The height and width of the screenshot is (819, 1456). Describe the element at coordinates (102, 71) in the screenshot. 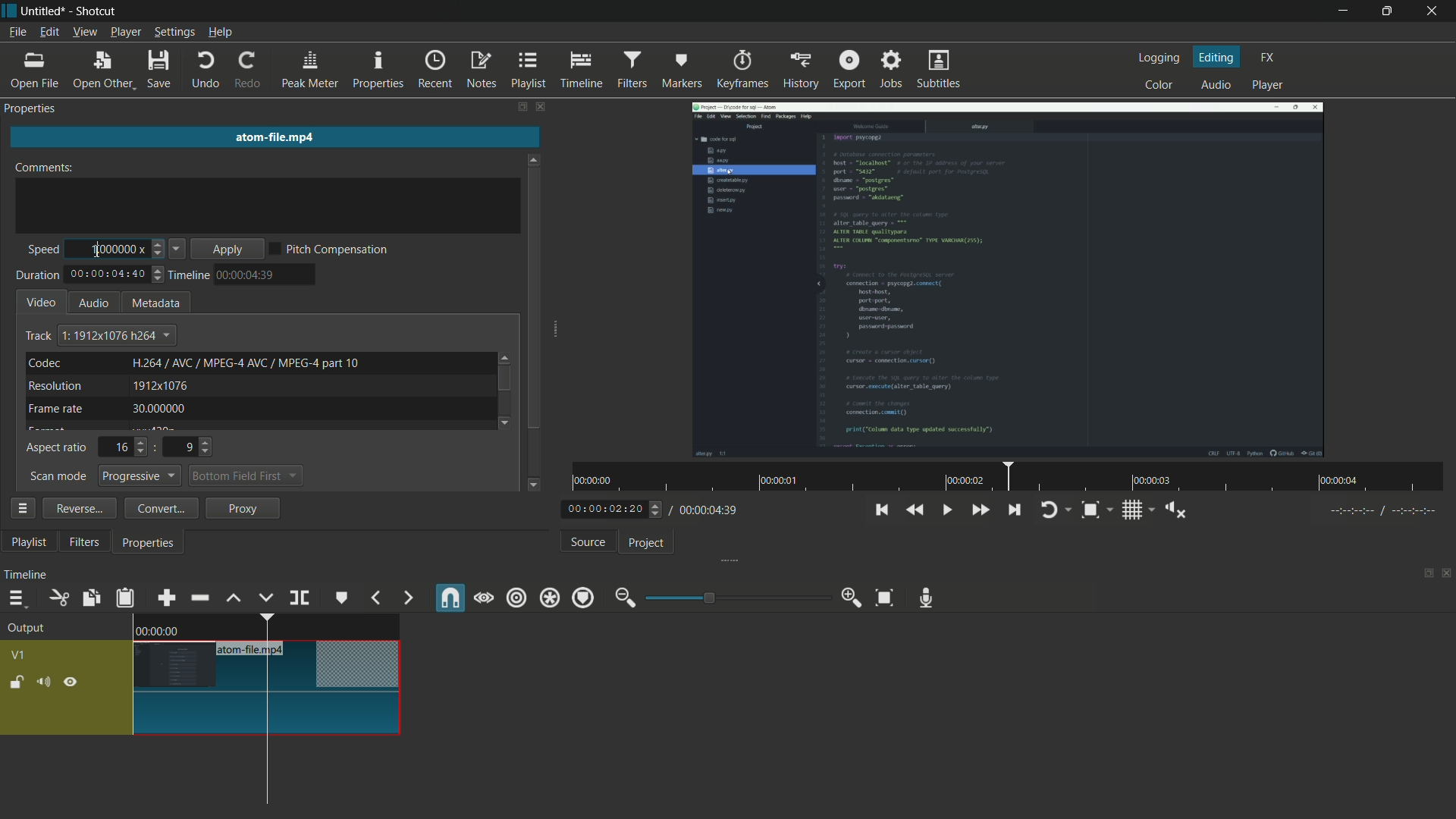

I see `open other` at that location.